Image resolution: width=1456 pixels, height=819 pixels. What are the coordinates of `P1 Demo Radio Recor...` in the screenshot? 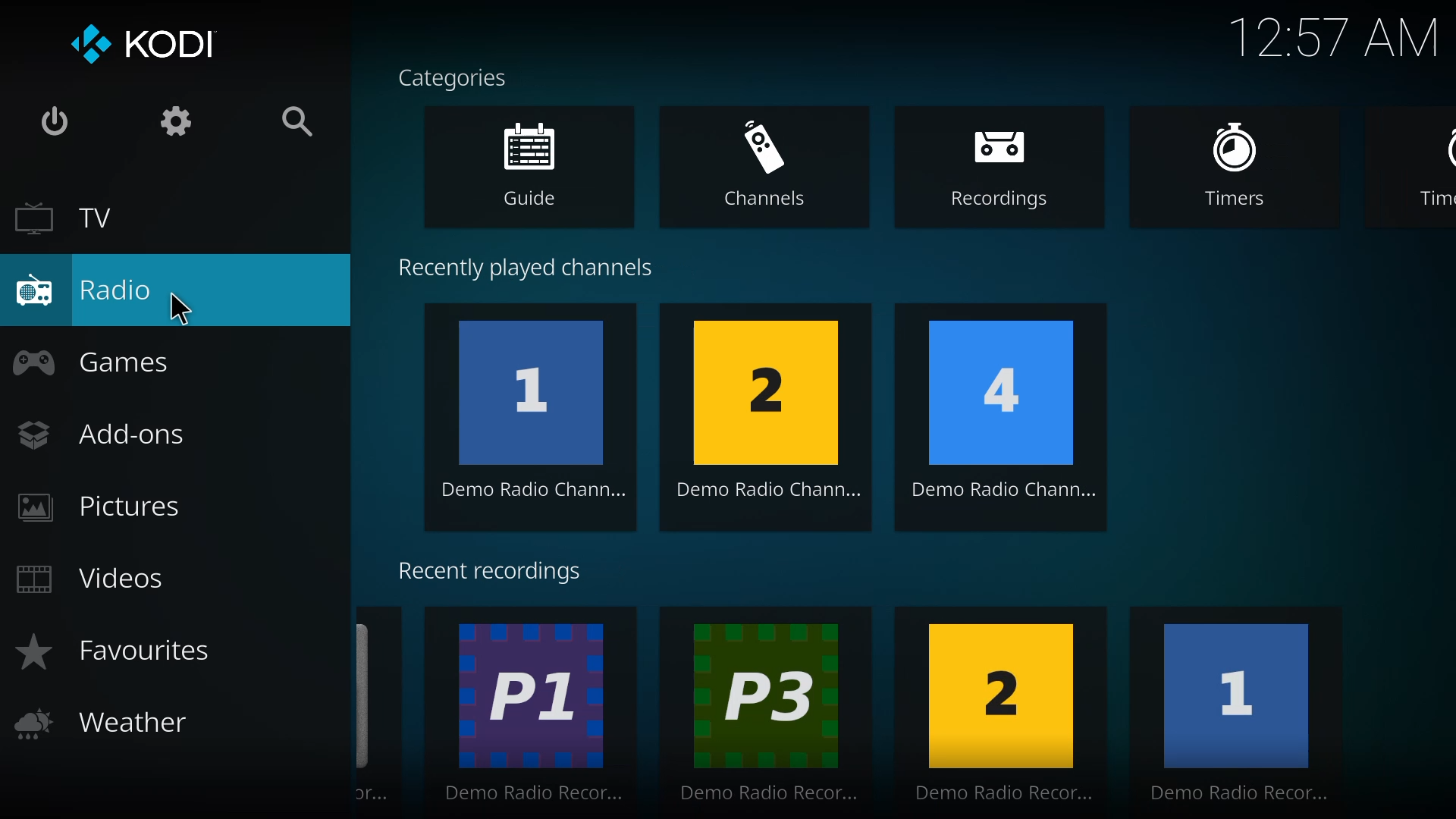 It's located at (530, 711).